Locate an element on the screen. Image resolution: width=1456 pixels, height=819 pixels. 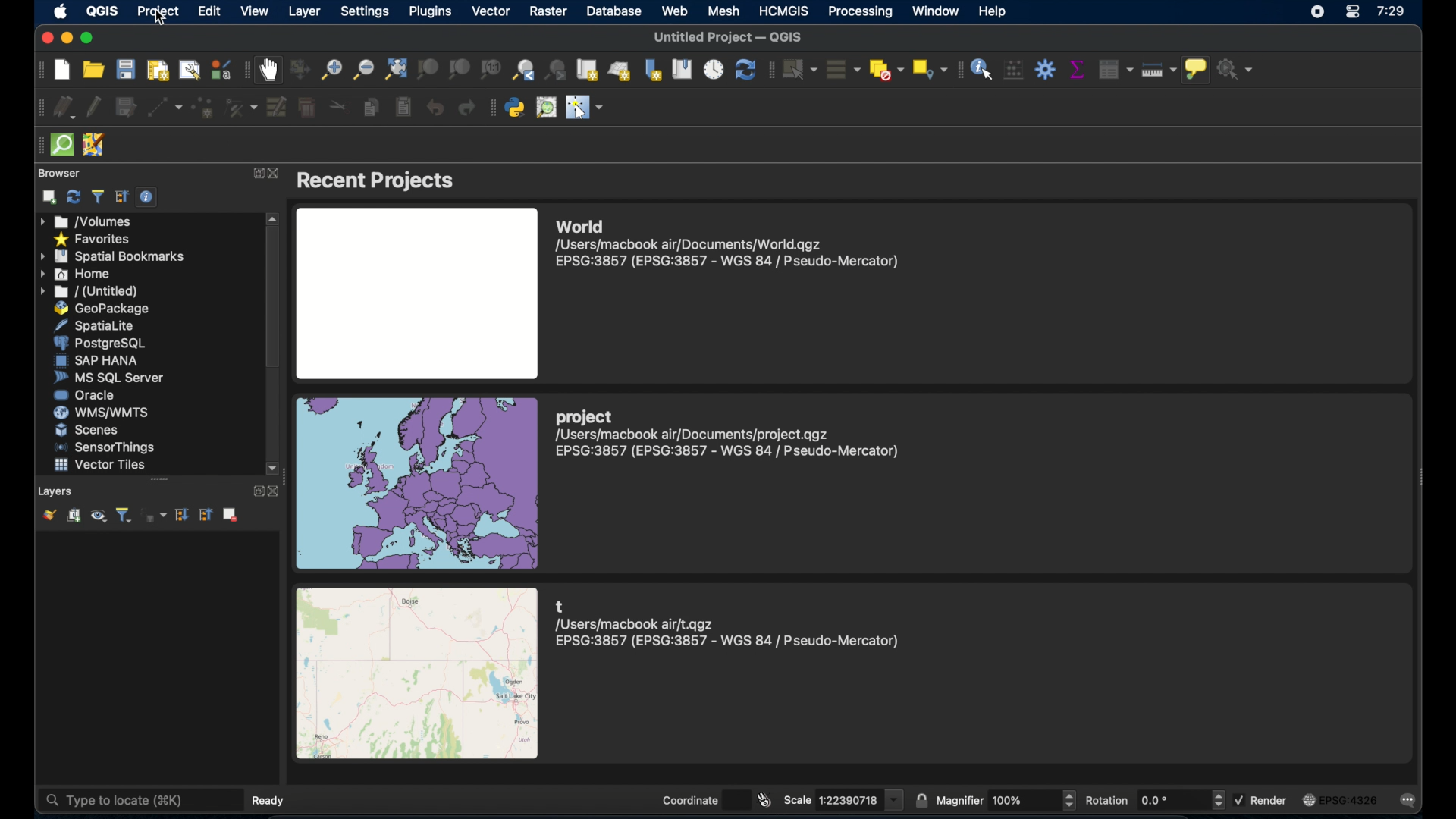
expand is located at coordinates (256, 173).